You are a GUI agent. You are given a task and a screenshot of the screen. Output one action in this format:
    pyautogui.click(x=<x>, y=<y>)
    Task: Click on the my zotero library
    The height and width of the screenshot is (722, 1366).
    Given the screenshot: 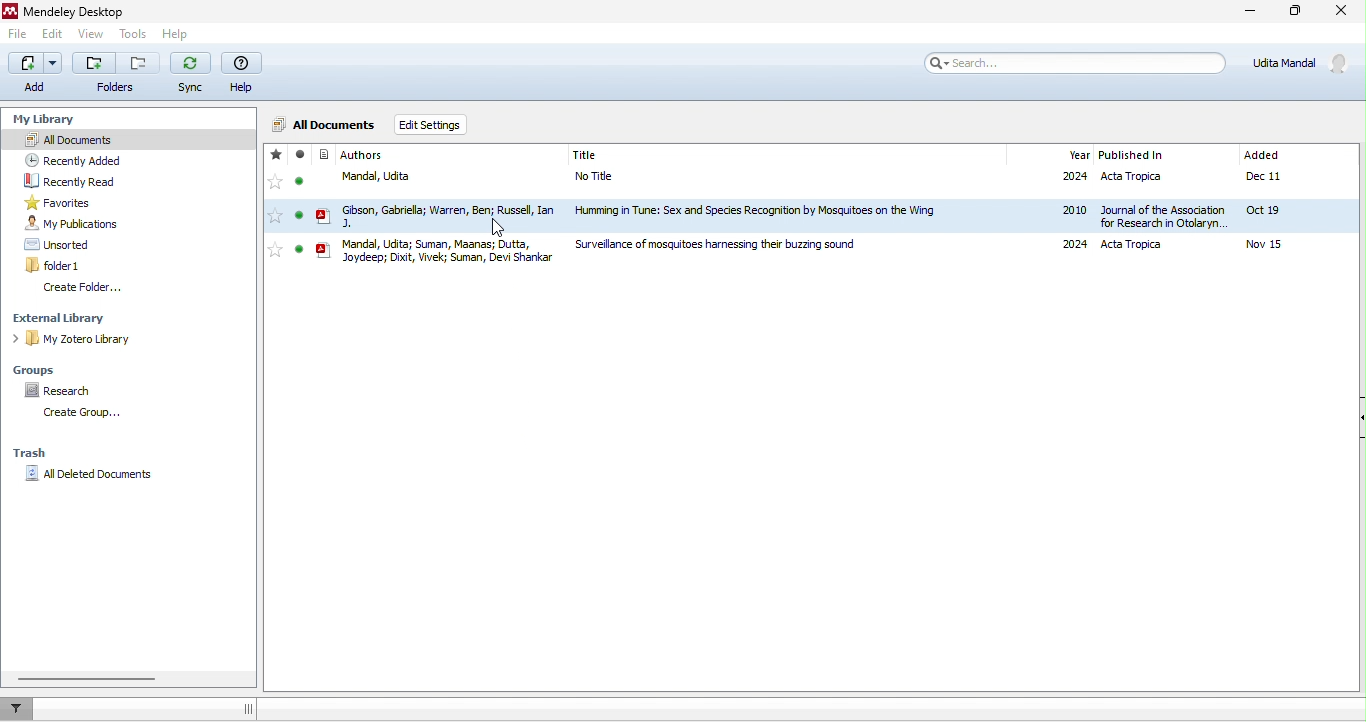 What is the action you would take?
    pyautogui.click(x=73, y=338)
    